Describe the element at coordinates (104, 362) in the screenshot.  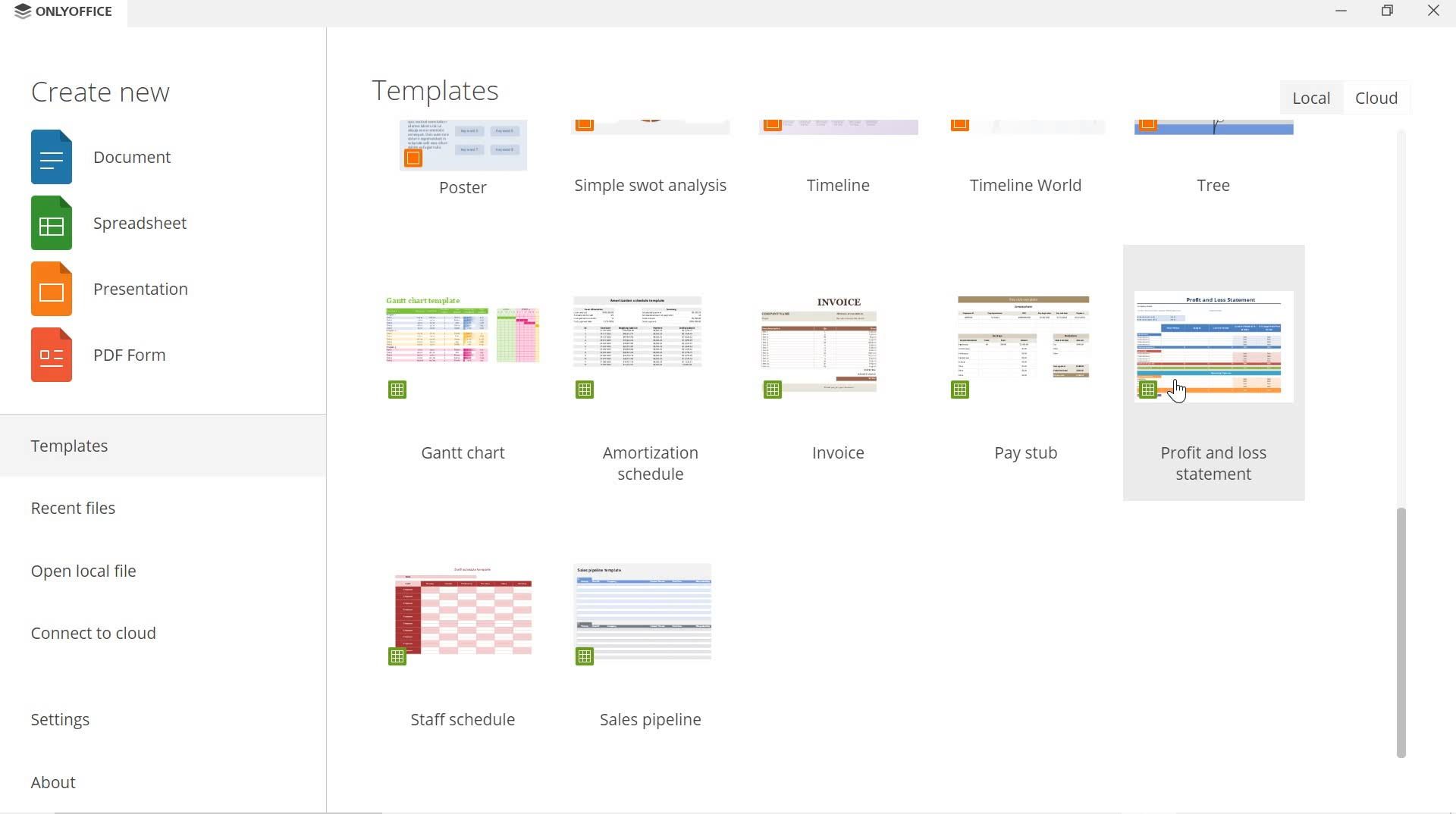
I see `PDF Form` at that location.